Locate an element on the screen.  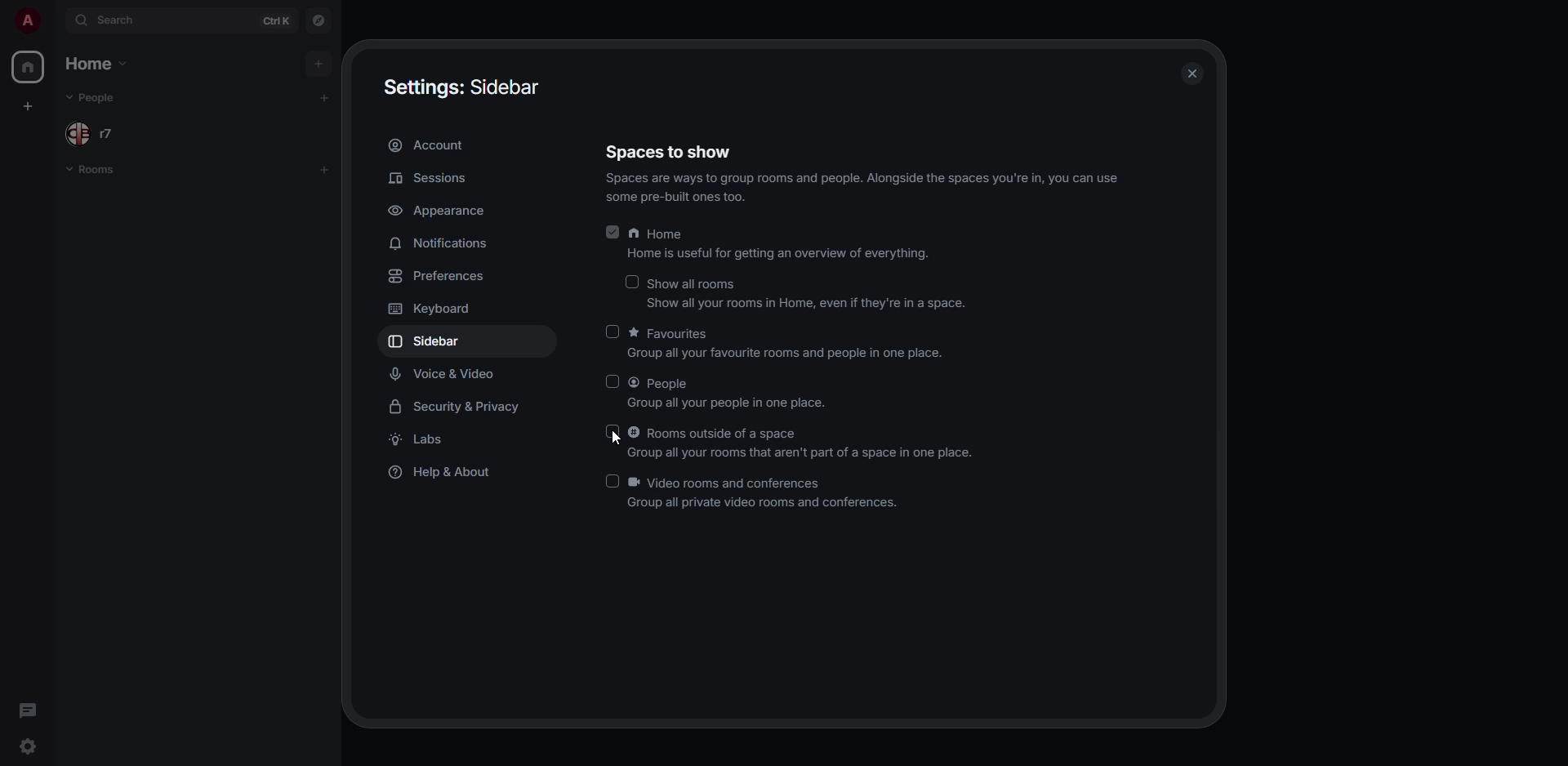
click to enable is located at coordinates (613, 434).